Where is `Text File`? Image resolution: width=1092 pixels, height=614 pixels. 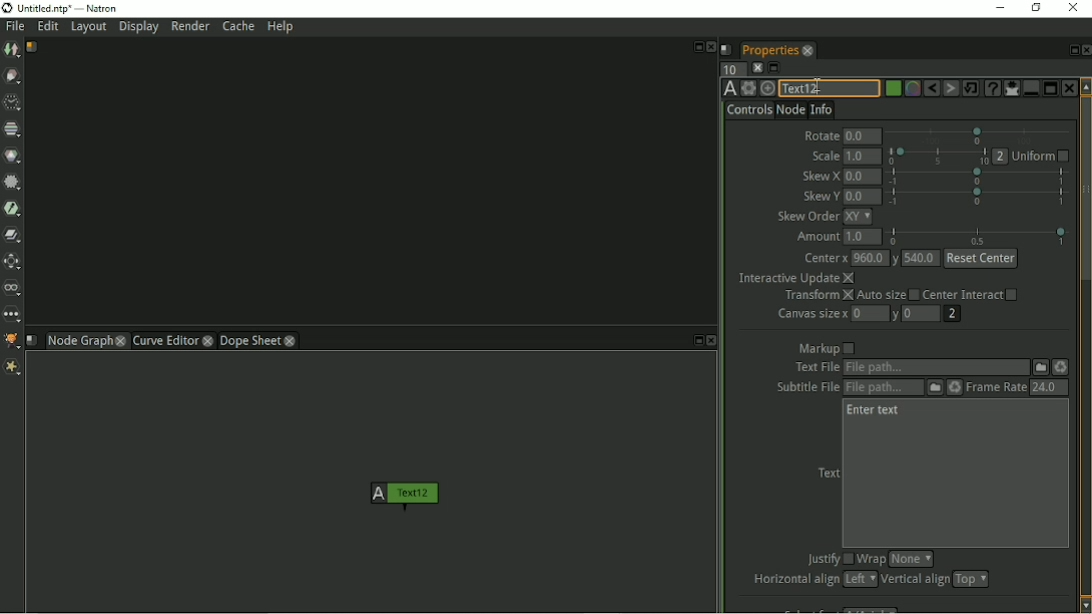
Text File is located at coordinates (814, 368).